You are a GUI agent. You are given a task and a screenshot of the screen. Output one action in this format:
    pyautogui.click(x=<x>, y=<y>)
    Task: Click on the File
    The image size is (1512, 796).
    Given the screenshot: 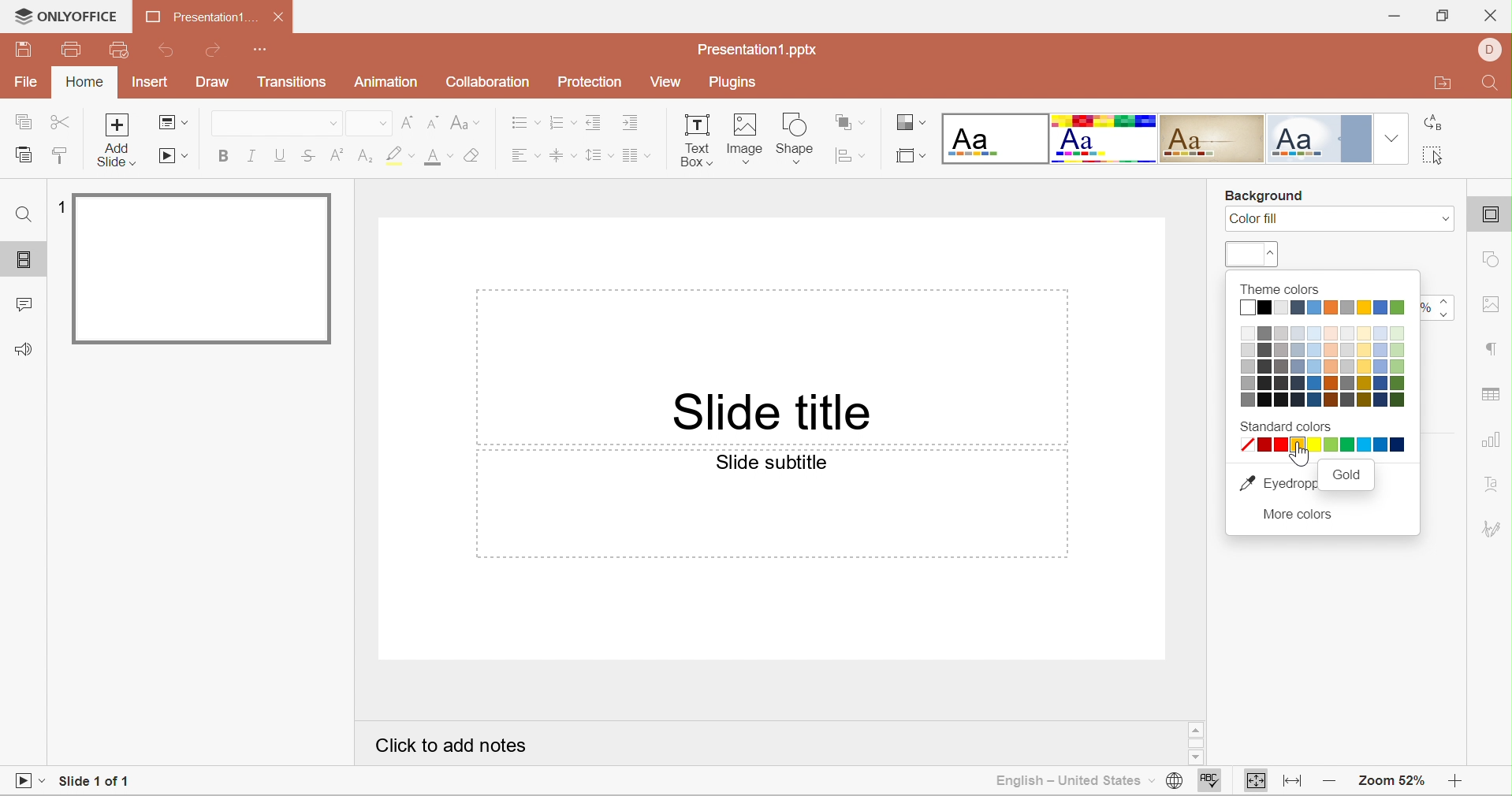 What is the action you would take?
    pyautogui.click(x=31, y=84)
    